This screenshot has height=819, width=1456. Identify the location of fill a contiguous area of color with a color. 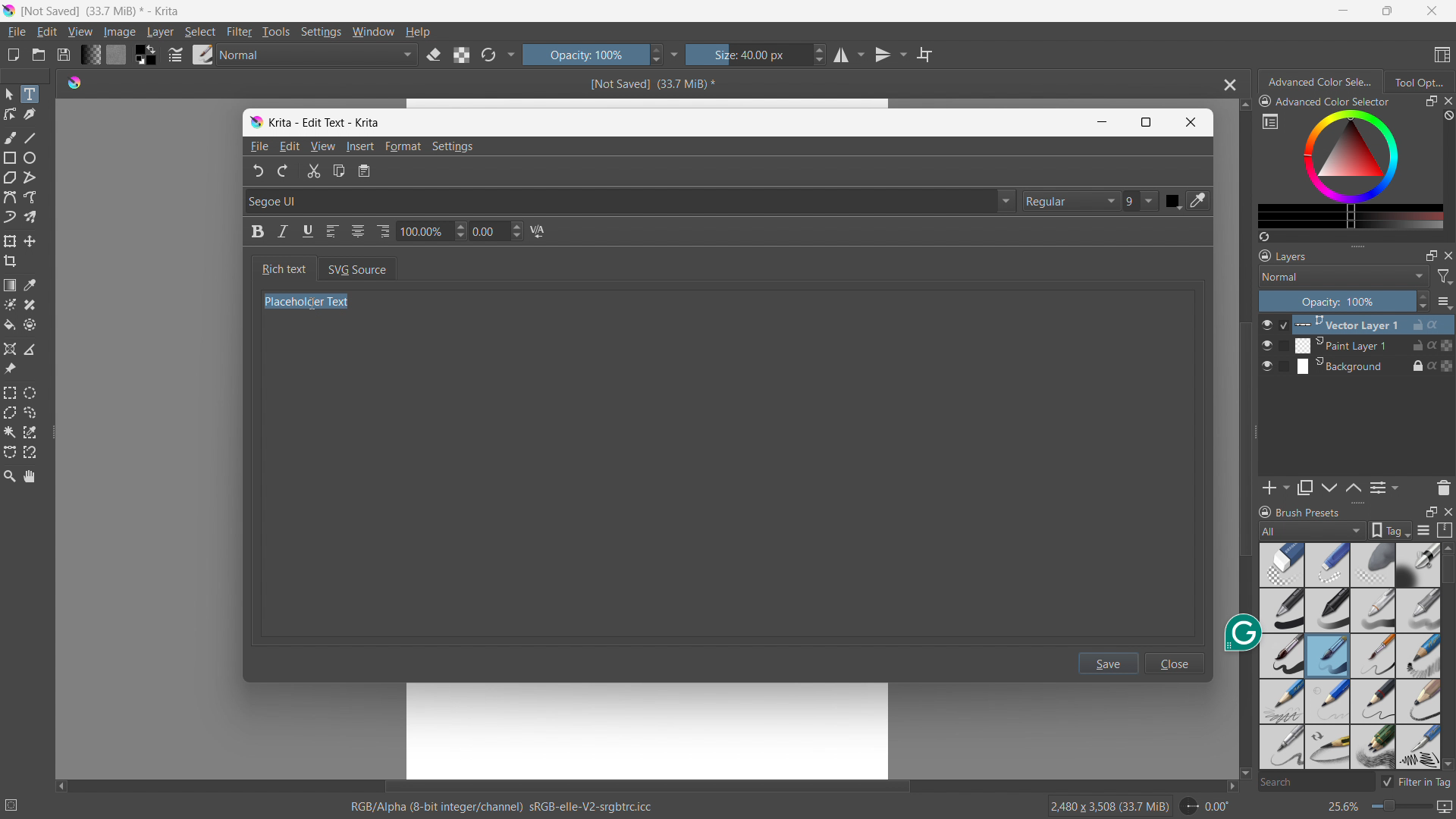
(9, 325).